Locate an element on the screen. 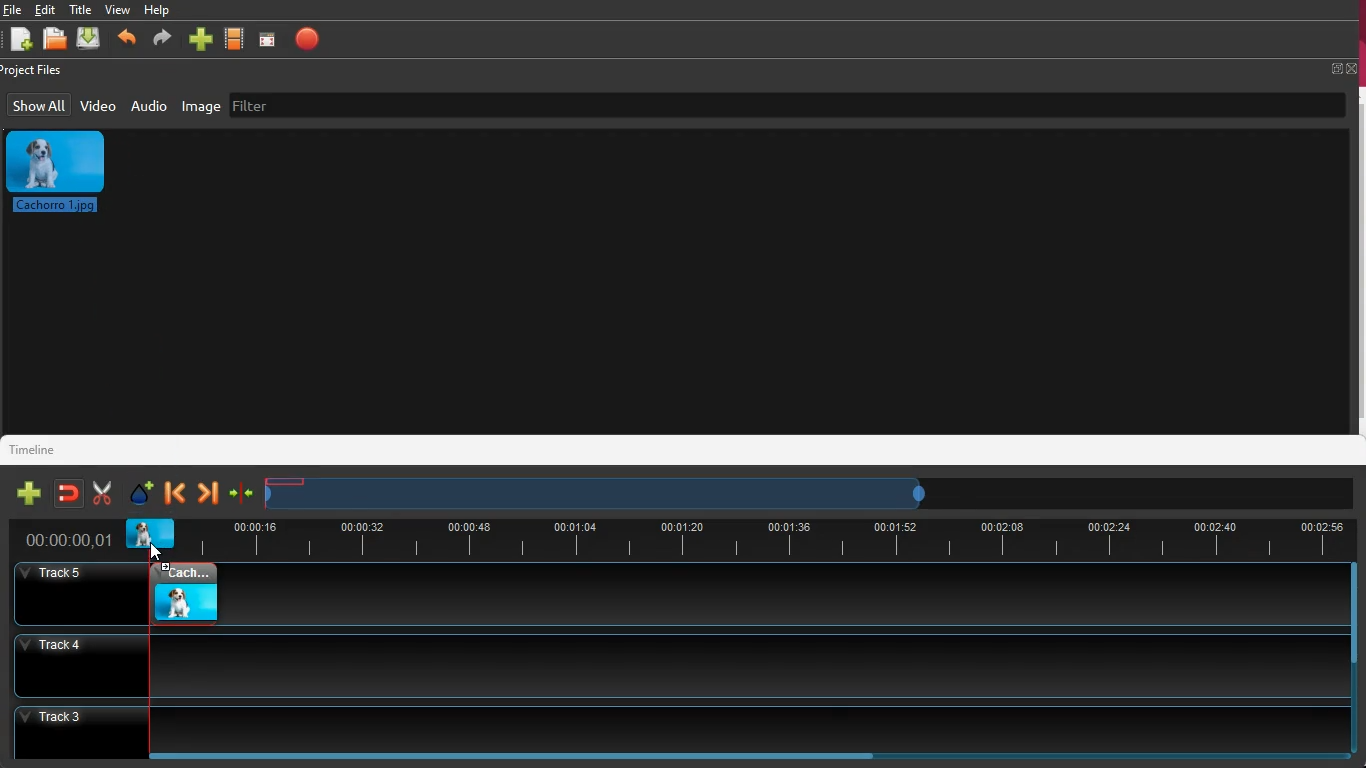 The width and height of the screenshot is (1366, 768). scrollbar is located at coordinates (744, 754).